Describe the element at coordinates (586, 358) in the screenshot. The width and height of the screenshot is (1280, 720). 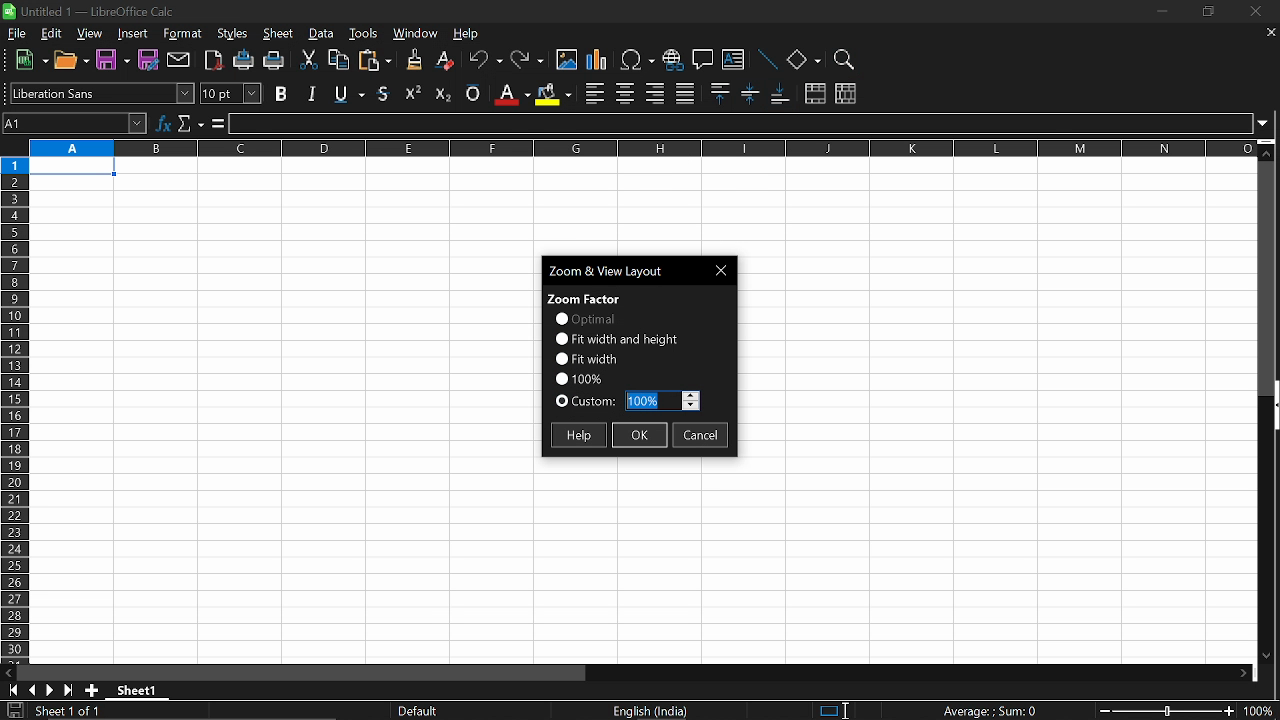
I see `fit width` at that location.